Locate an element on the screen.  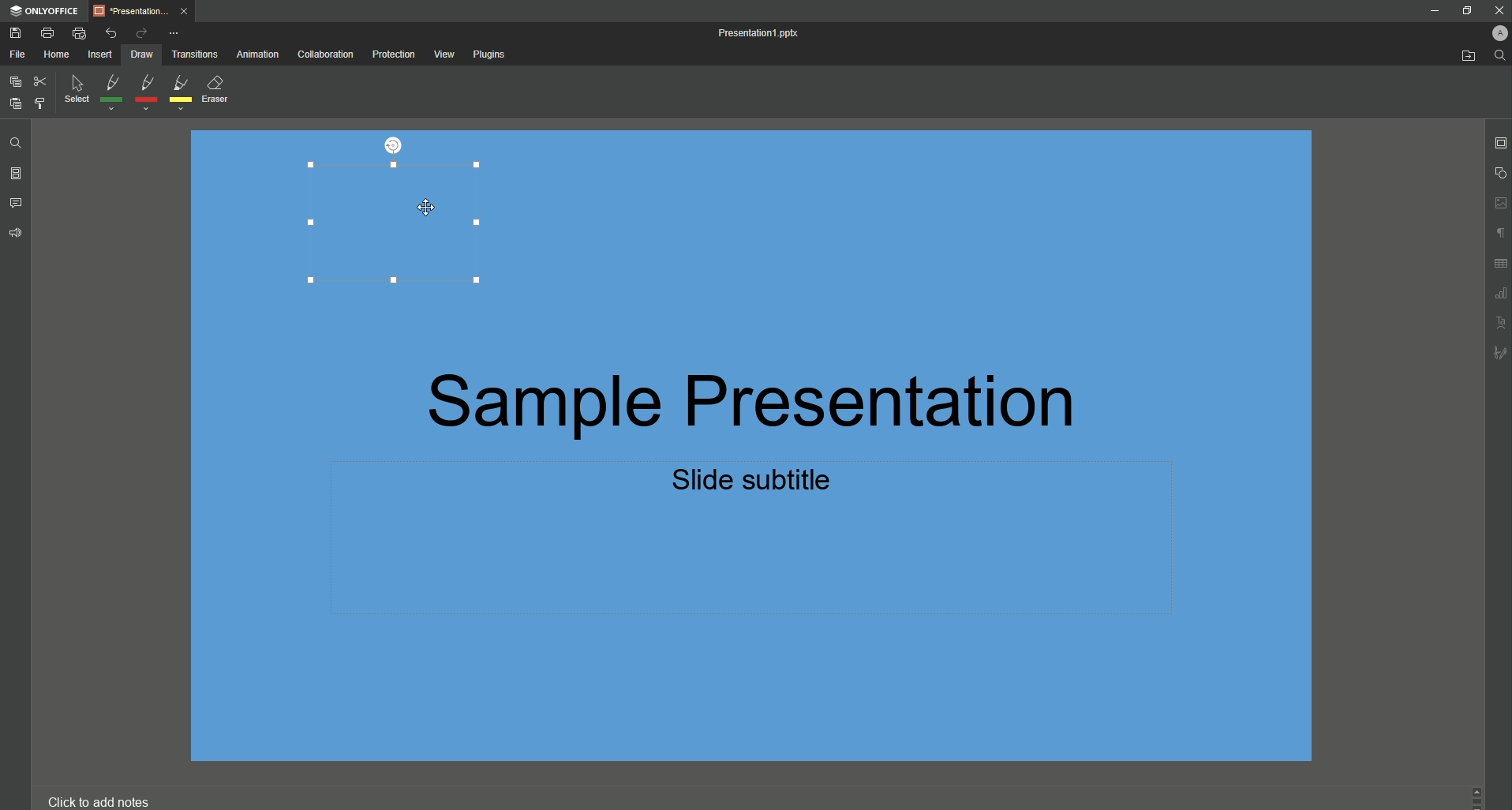
Protection is located at coordinates (391, 55).